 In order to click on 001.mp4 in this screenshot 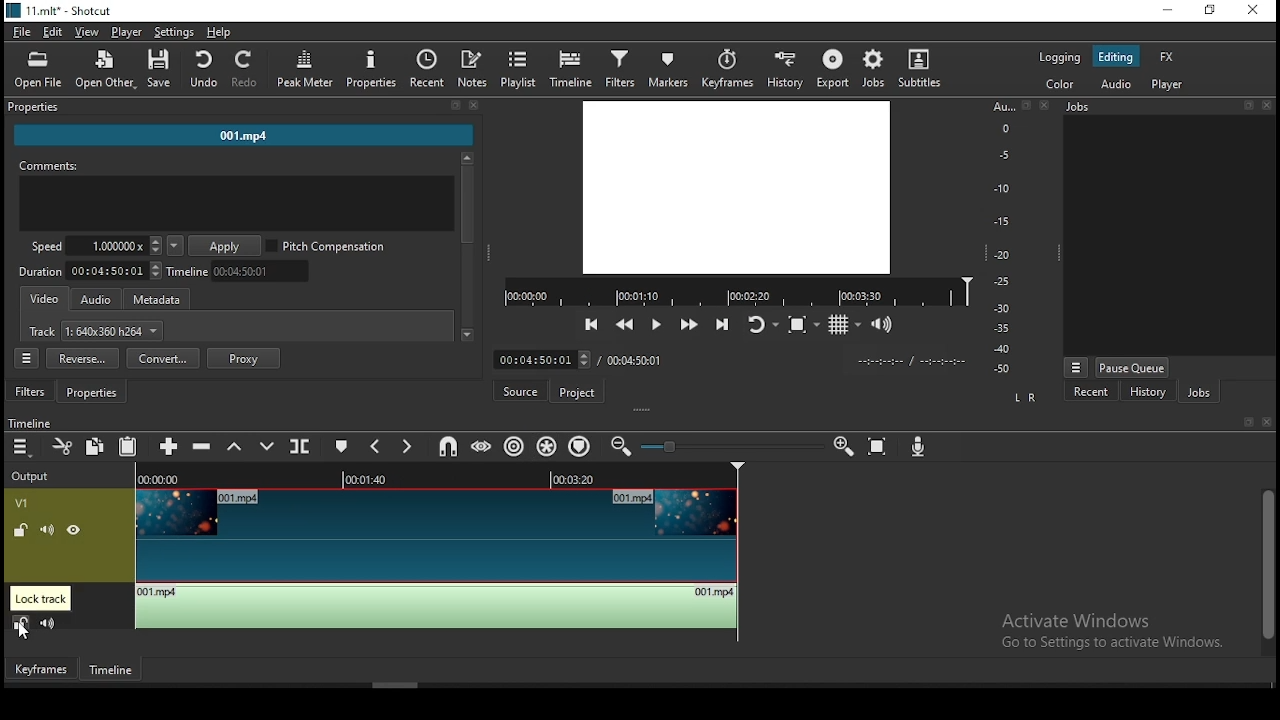, I will do `click(244, 135)`.